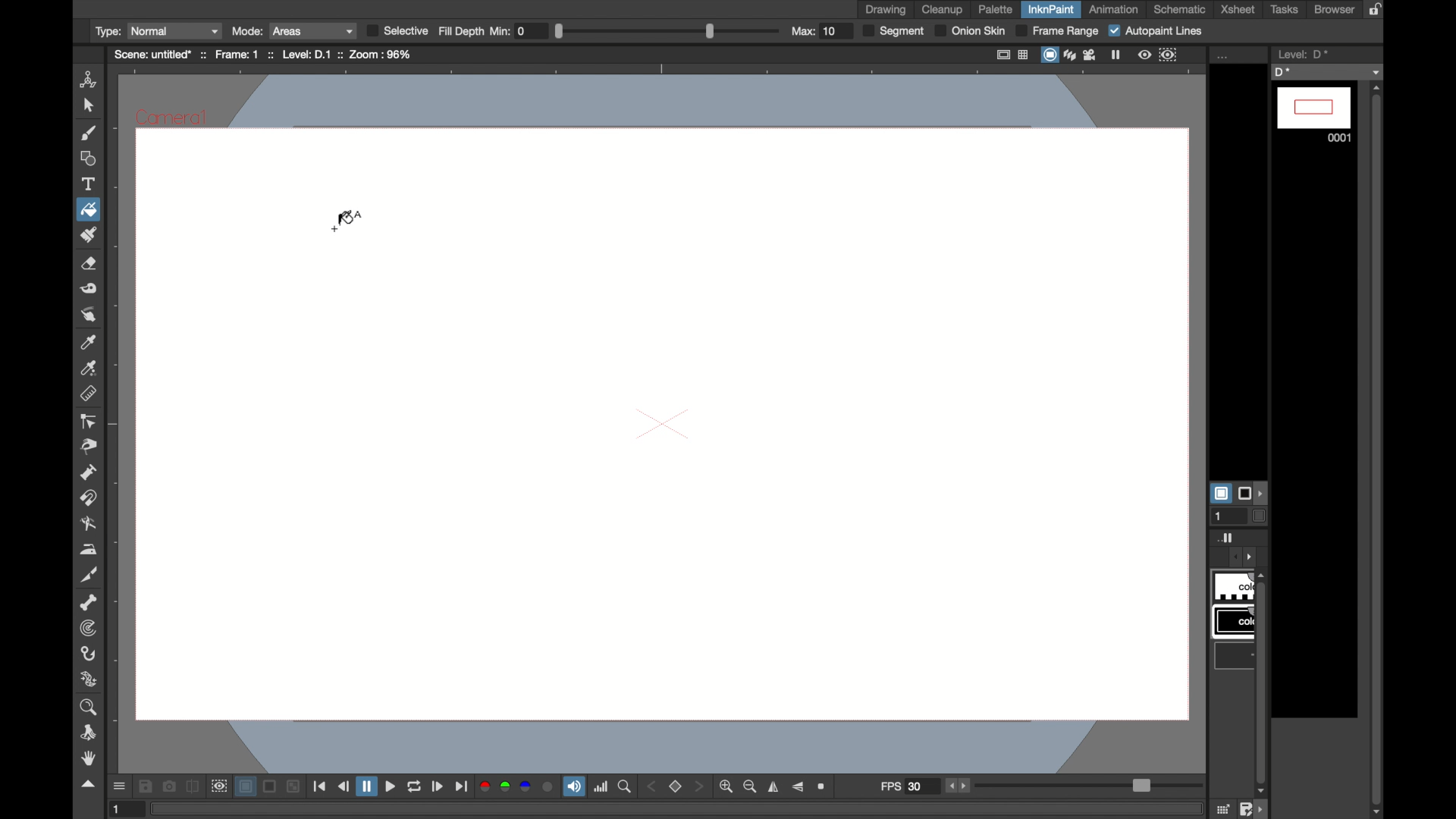 This screenshot has height=819, width=1456. I want to click on back, so click(649, 788).